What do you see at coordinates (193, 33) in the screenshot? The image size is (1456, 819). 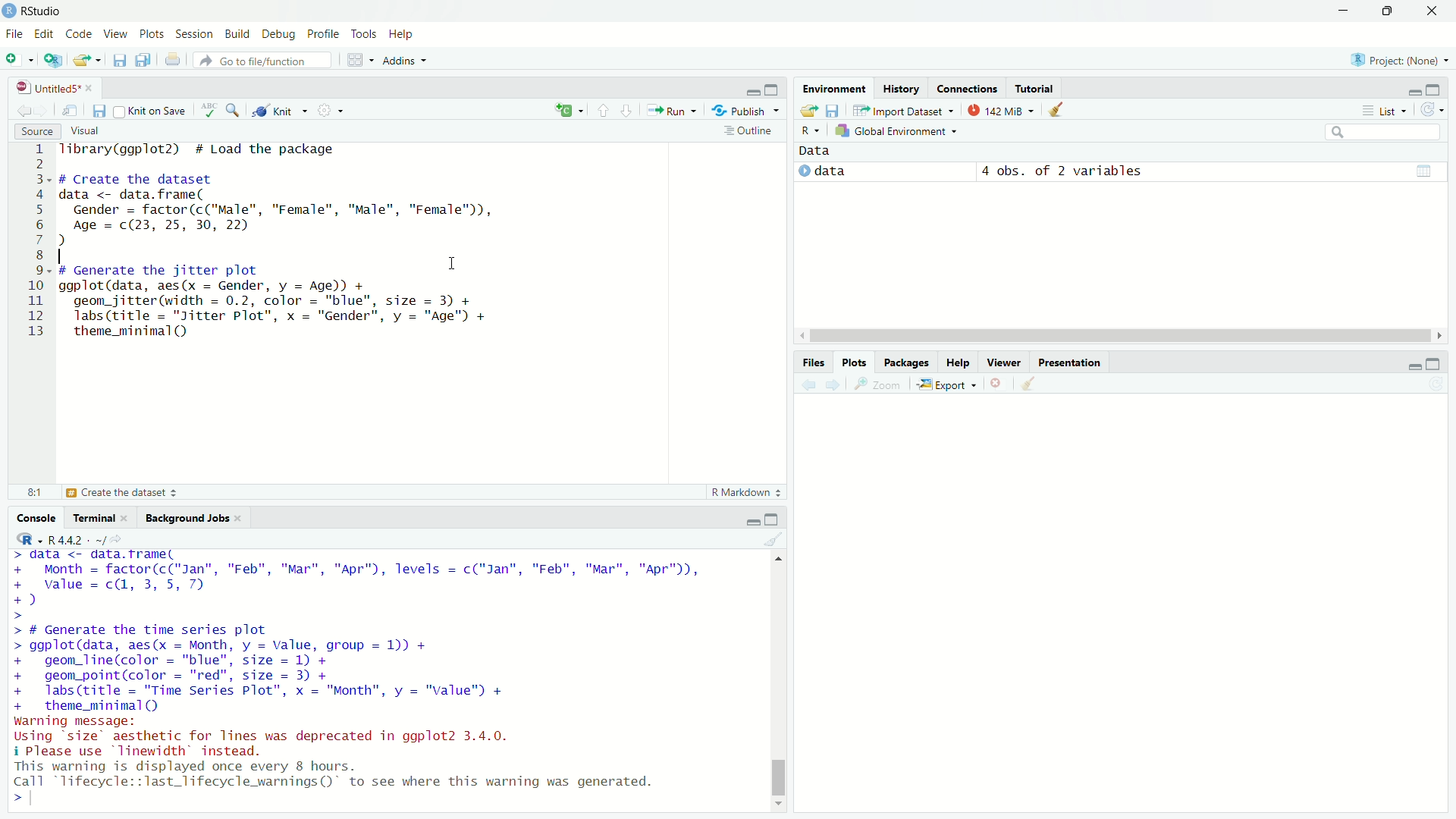 I see `session` at bounding box center [193, 33].